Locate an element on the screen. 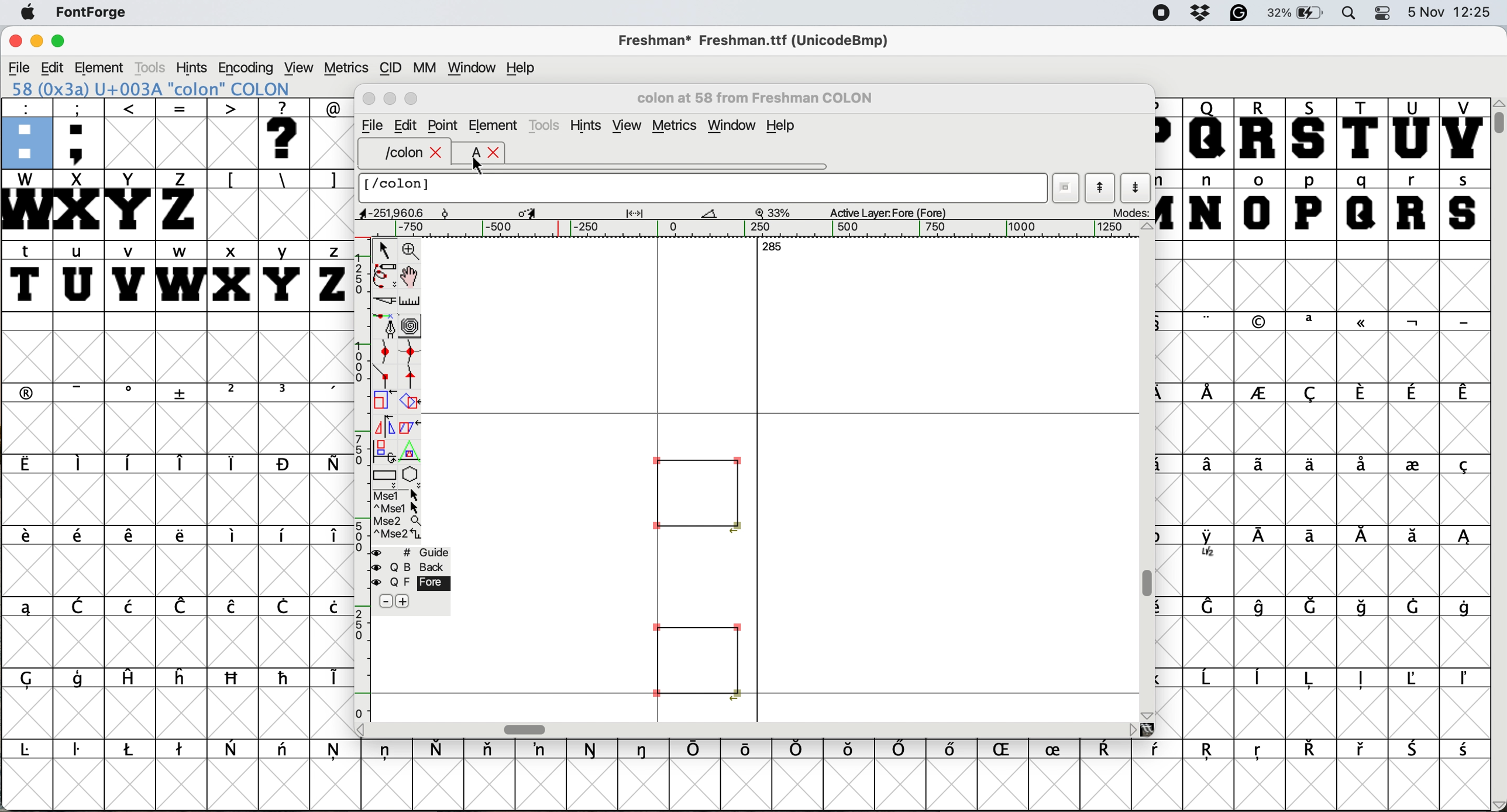 The height and width of the screenshot is (812, 1507). ^Mse is located at coordinates (397, 506).